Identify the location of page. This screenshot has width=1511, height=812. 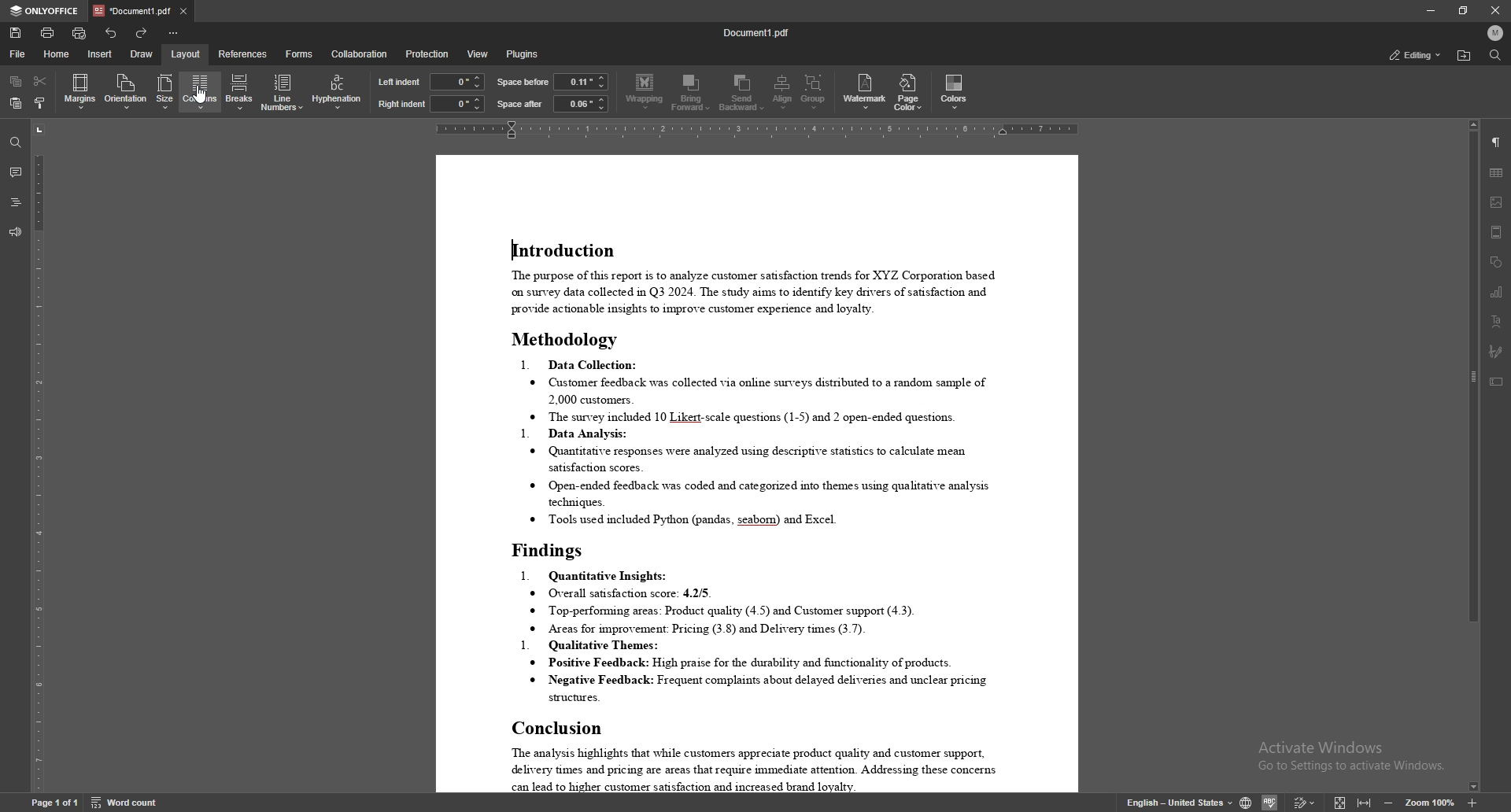
(54, 803).